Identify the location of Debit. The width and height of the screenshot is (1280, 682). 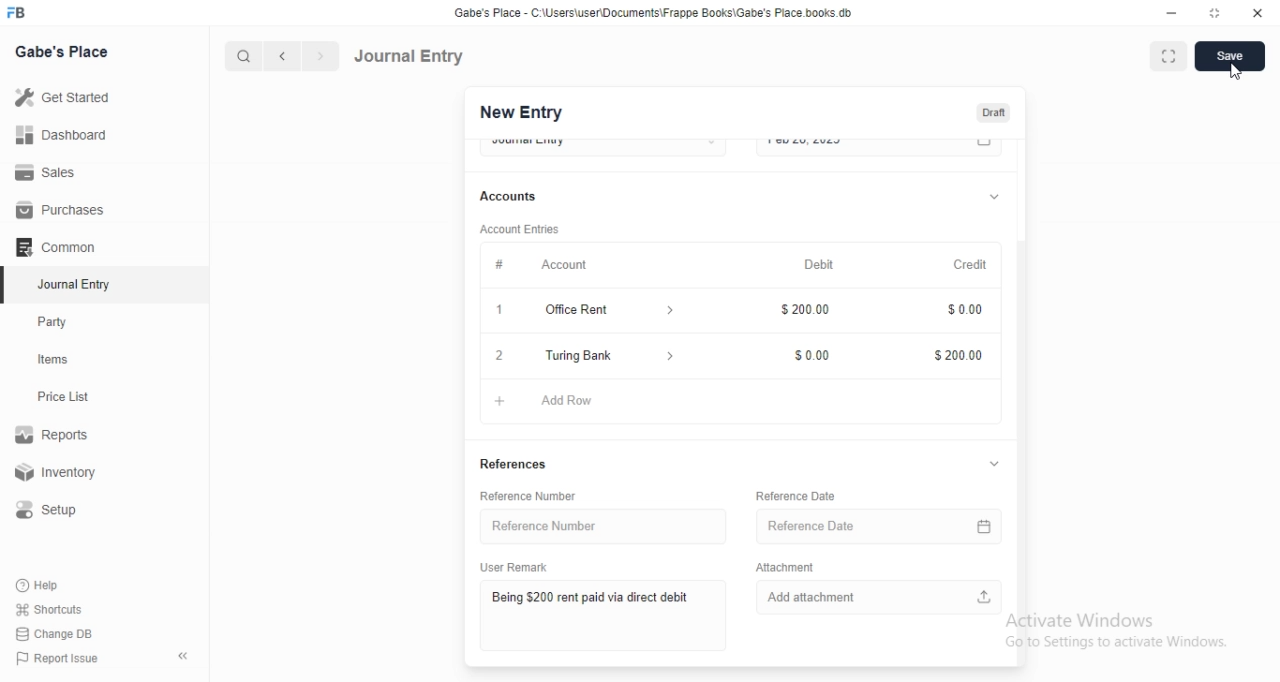
(821, 264).